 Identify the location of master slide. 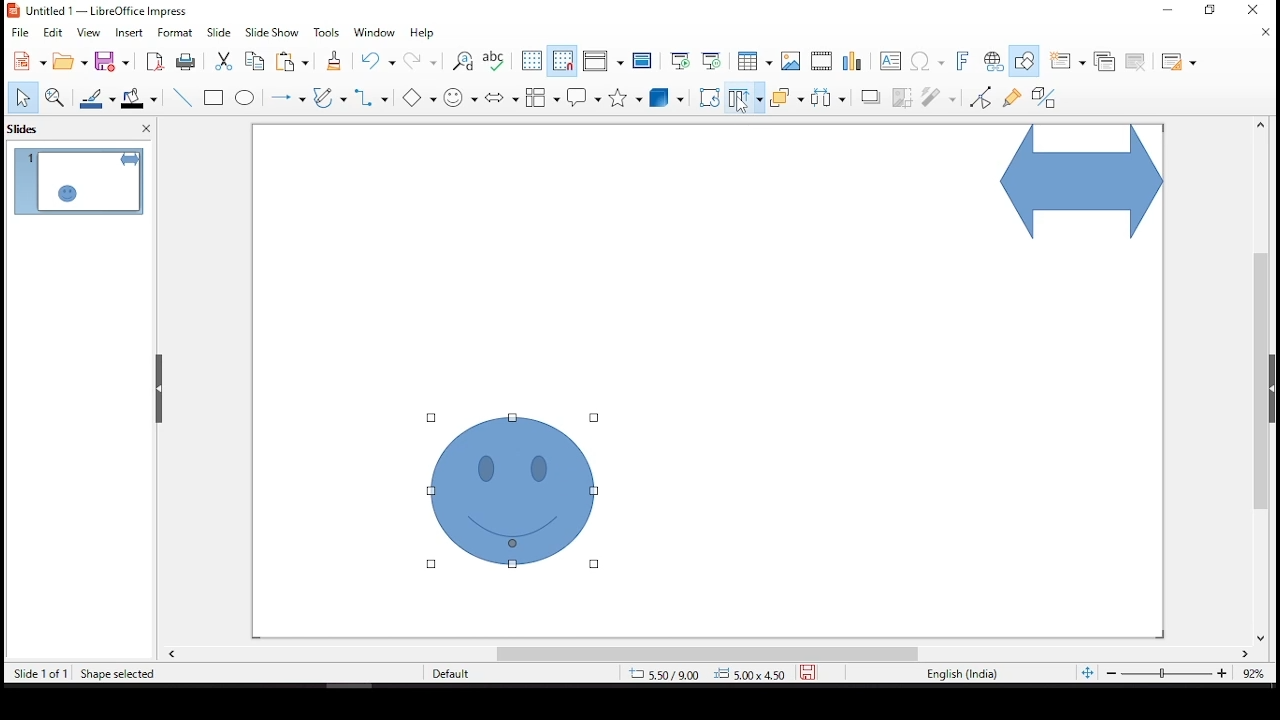
(643, 61).